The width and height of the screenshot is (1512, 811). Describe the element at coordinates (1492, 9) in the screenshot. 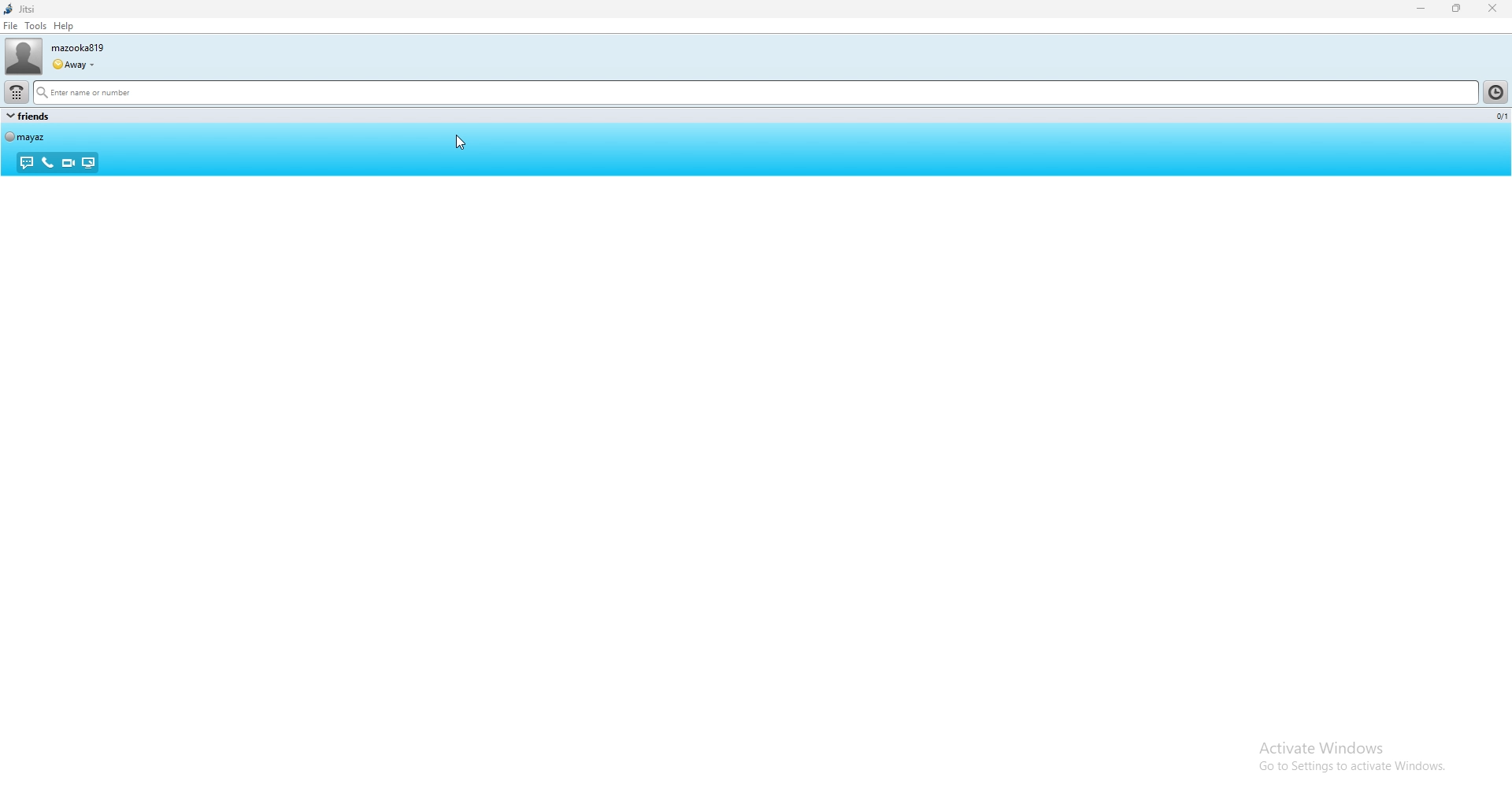

I see `close` at that location.